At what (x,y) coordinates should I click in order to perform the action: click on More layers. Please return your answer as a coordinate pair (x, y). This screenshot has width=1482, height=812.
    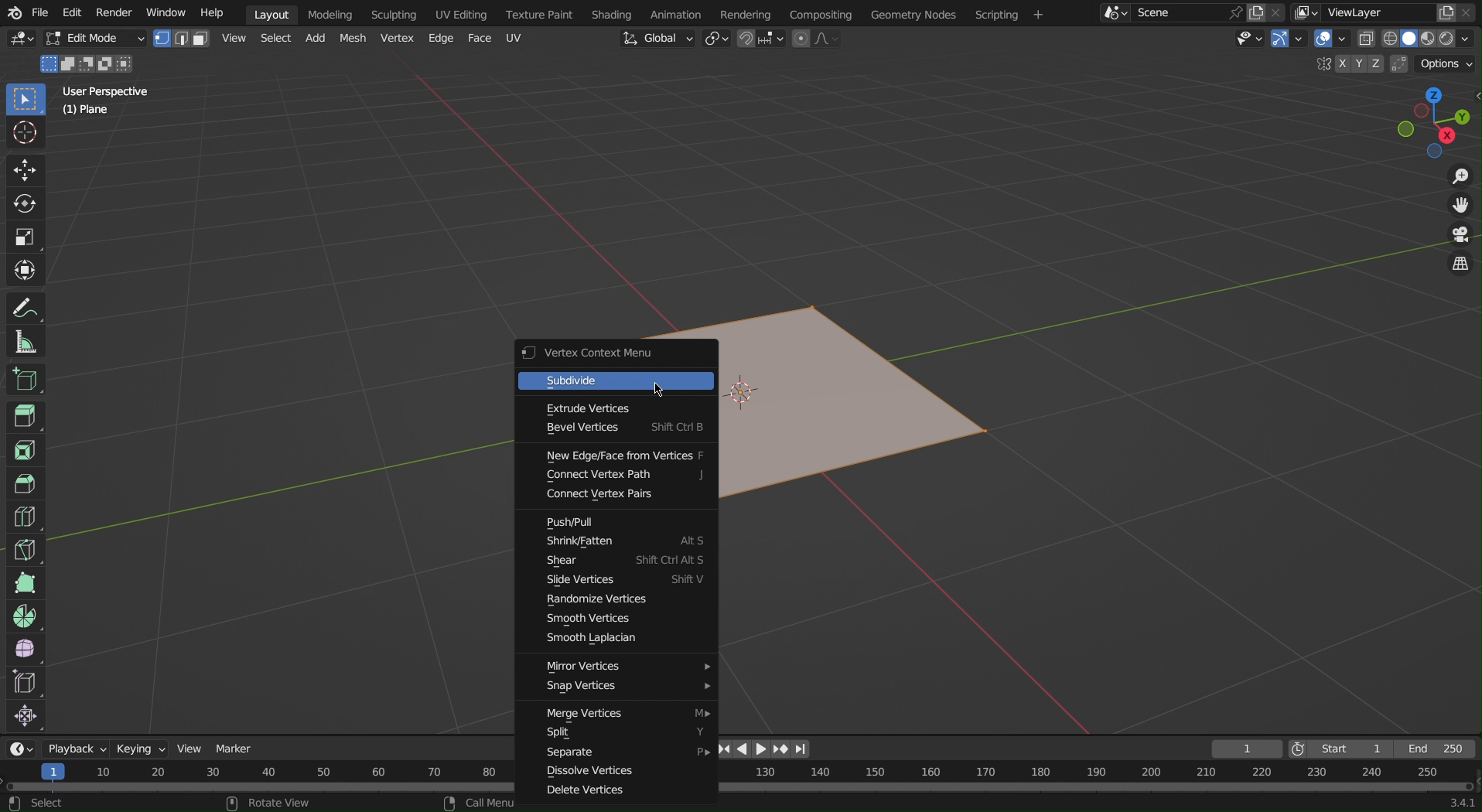
    Looking at the image, I should click on (1306, 14).